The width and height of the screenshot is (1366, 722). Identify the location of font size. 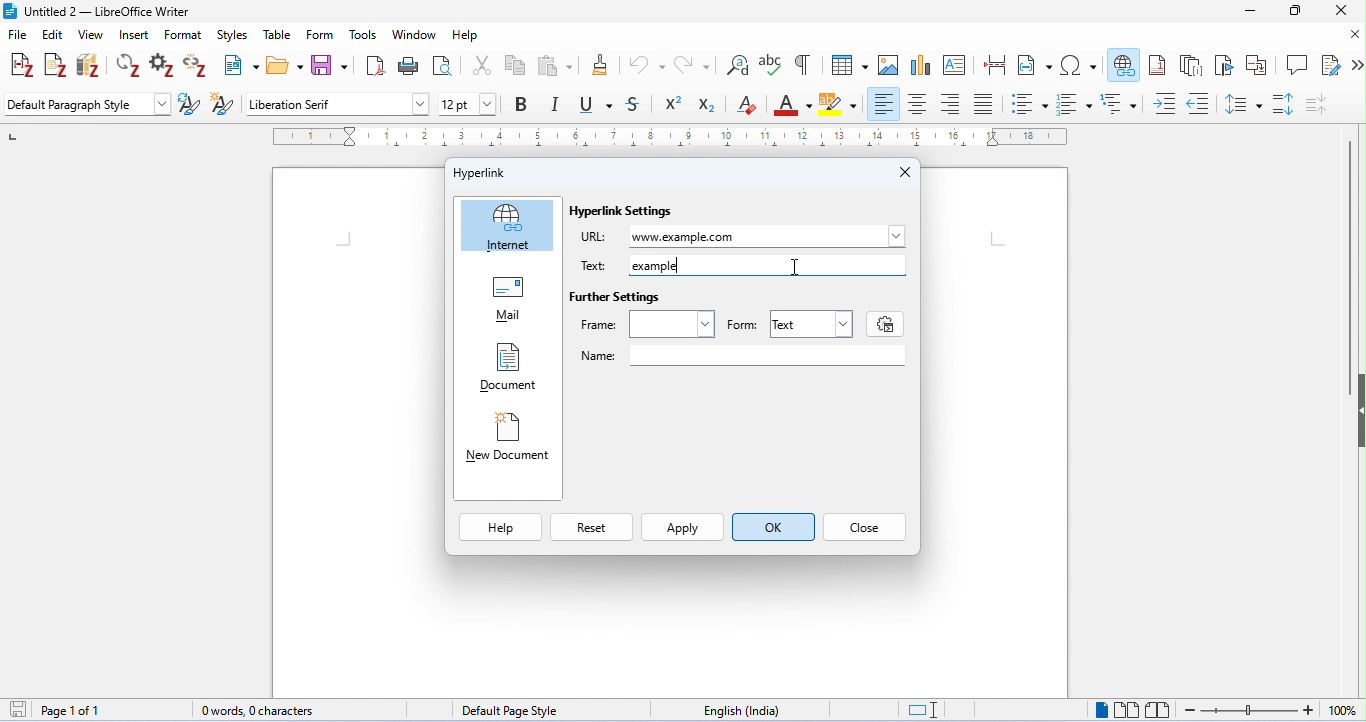
(472, 105).